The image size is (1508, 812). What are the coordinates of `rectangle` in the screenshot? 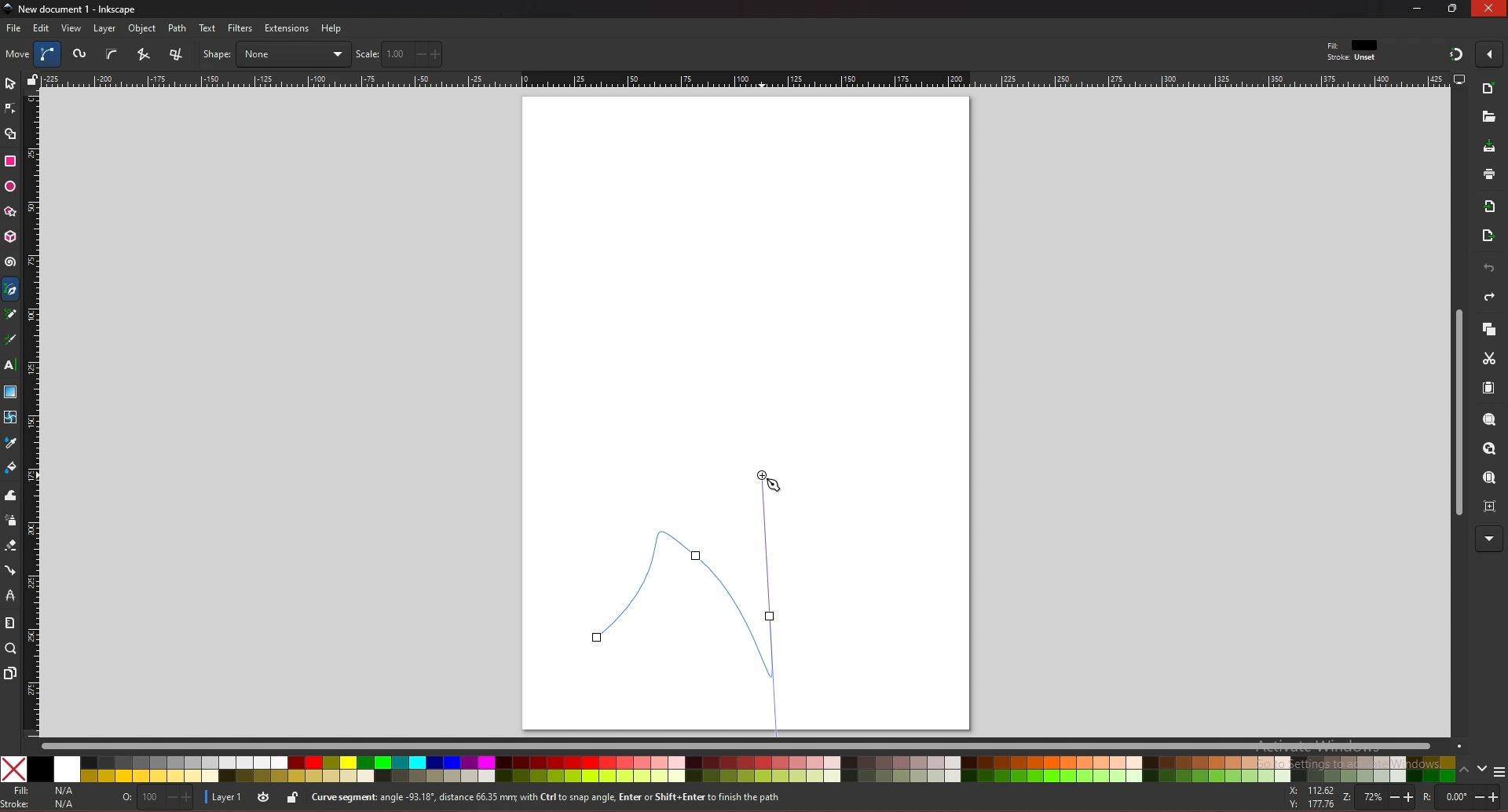 It's located at (9, 161).